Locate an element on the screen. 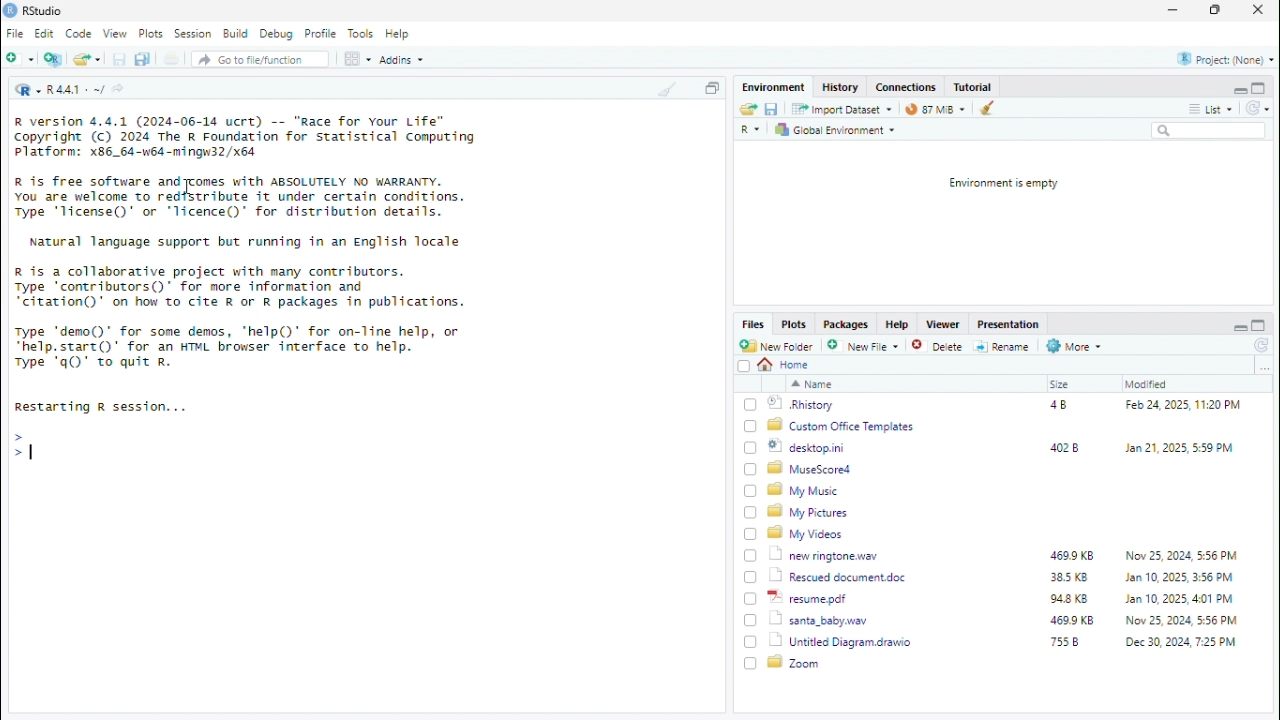  View is located at coordinates (115, 34).